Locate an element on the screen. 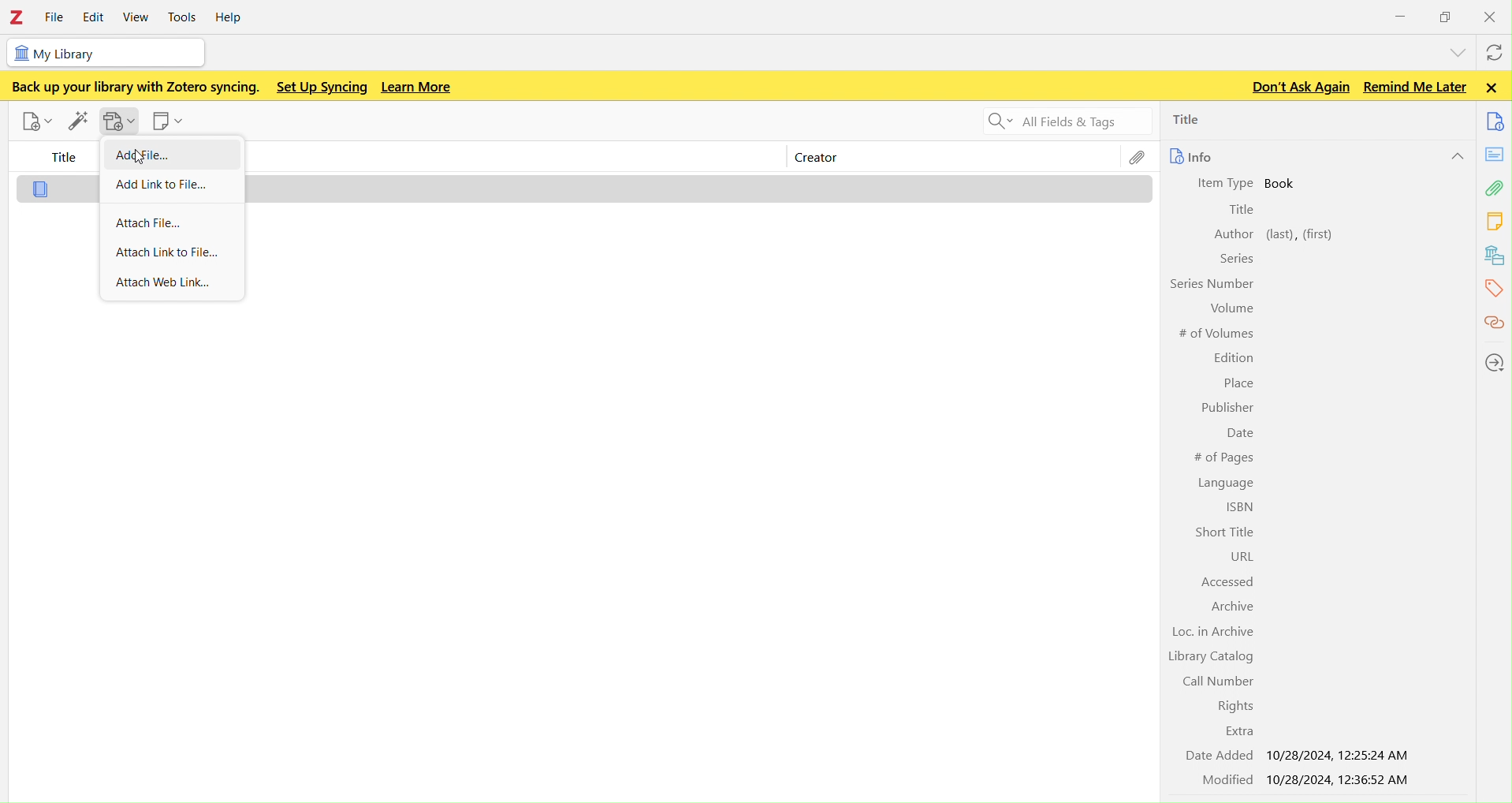  tools is located at coordinates (187, 15).